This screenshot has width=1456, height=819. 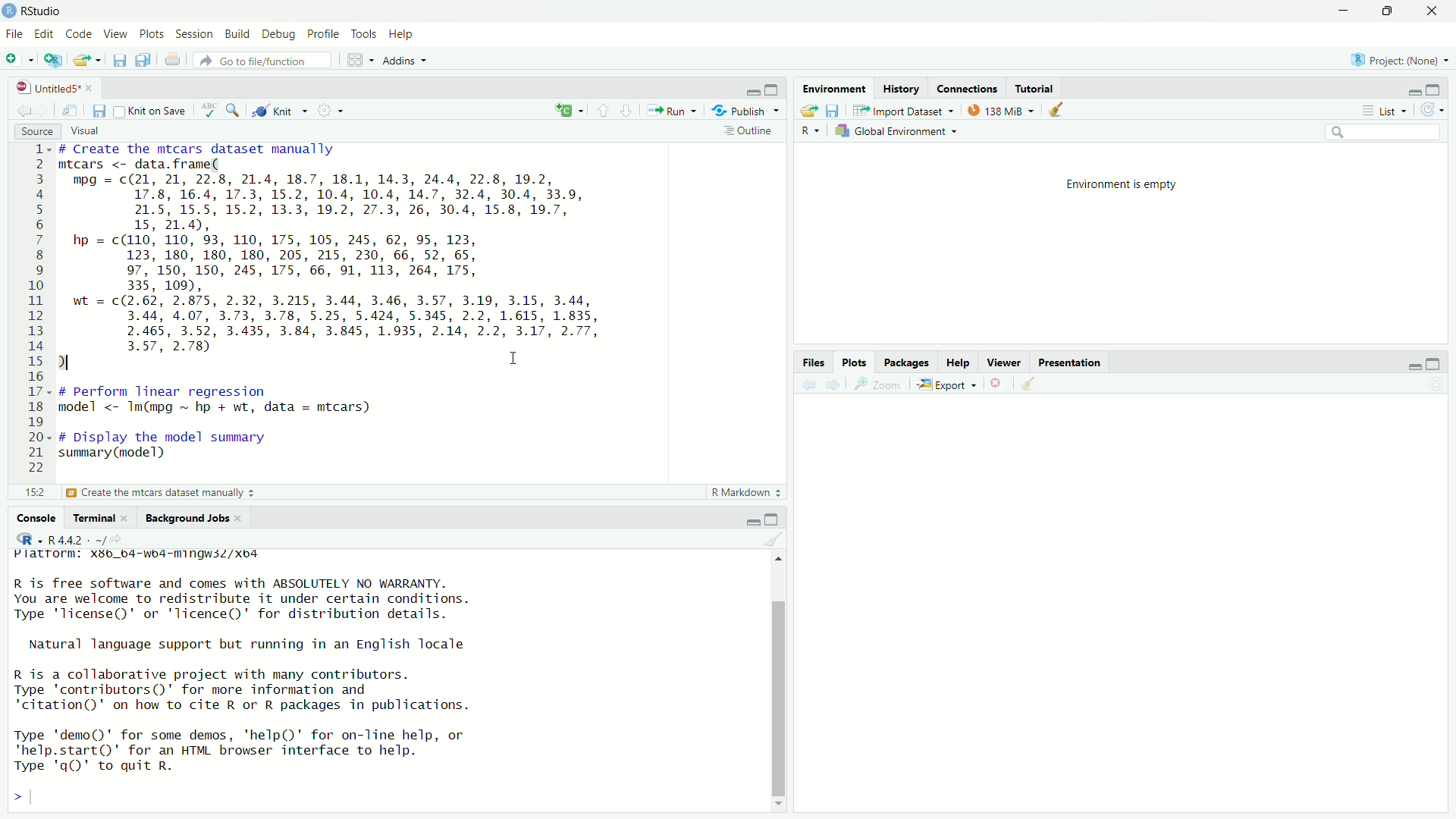 What do you see at coordinates (833, 111) in the screenshot?
I see `save workspace as...` at bounding box center [833, 111].